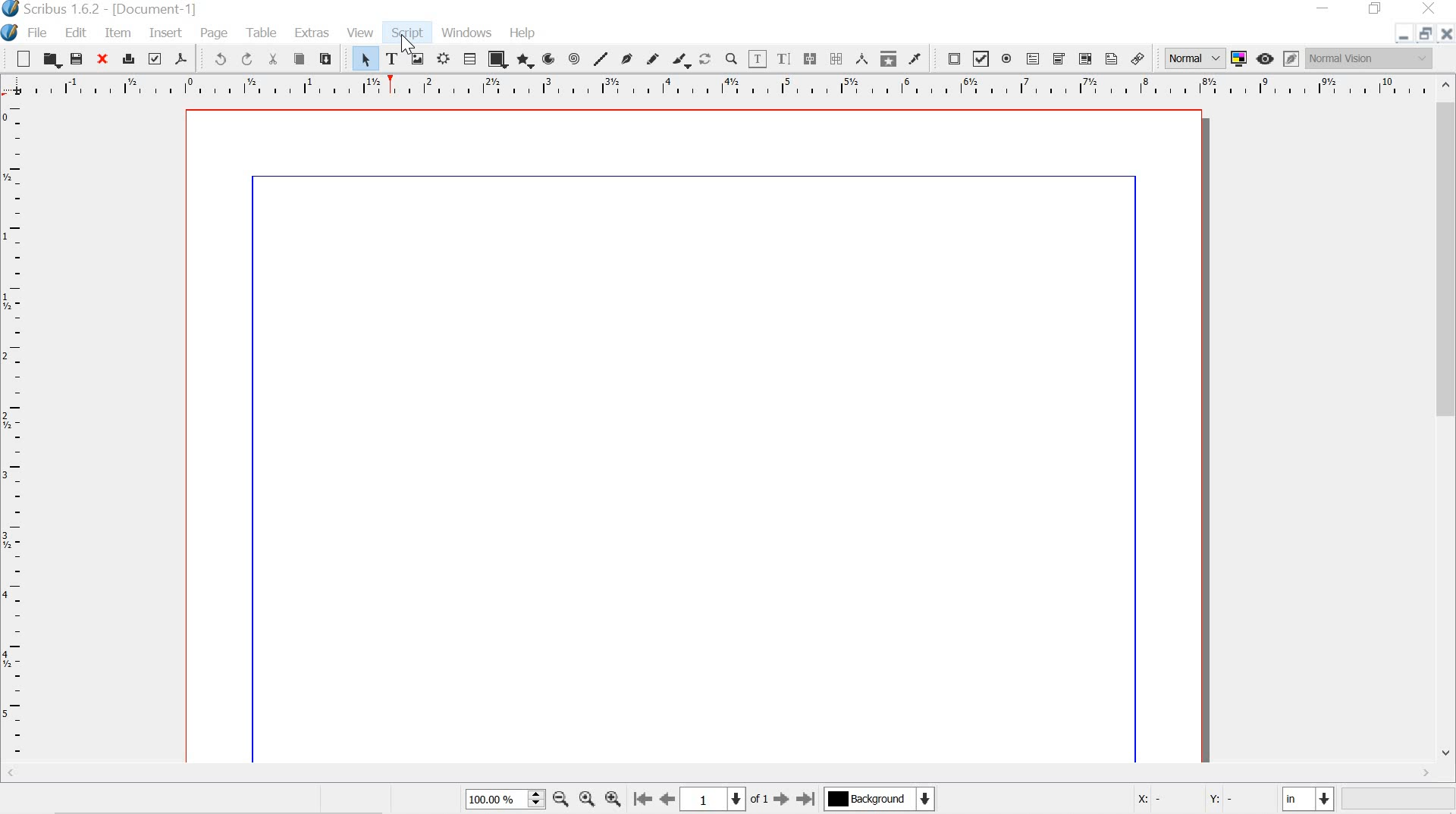 This screenshot has width=1456, height=814. I want to click on Center, so click(585, 799).